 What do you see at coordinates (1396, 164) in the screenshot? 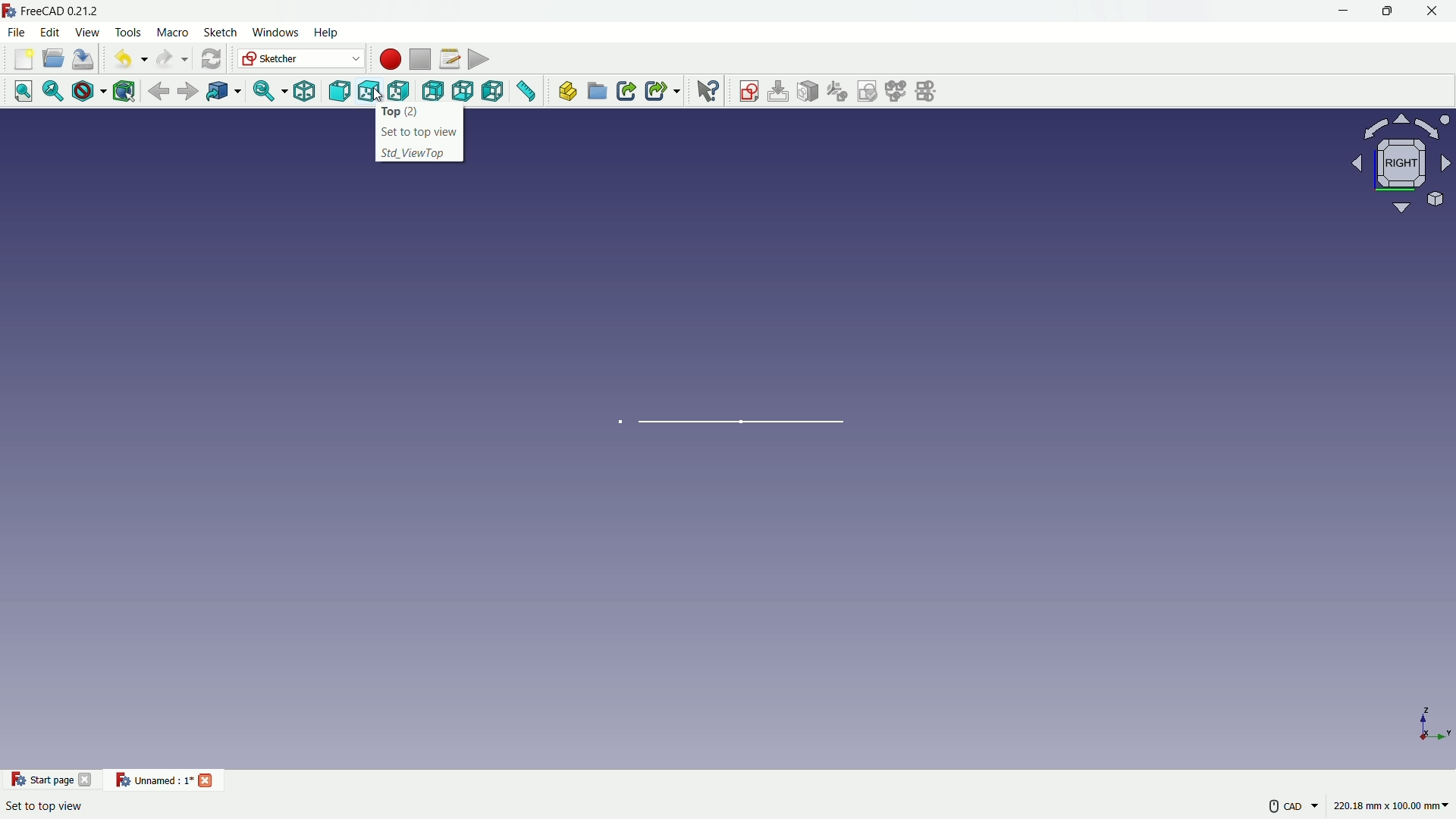
I see `view` at bounding box center [1396, 164].